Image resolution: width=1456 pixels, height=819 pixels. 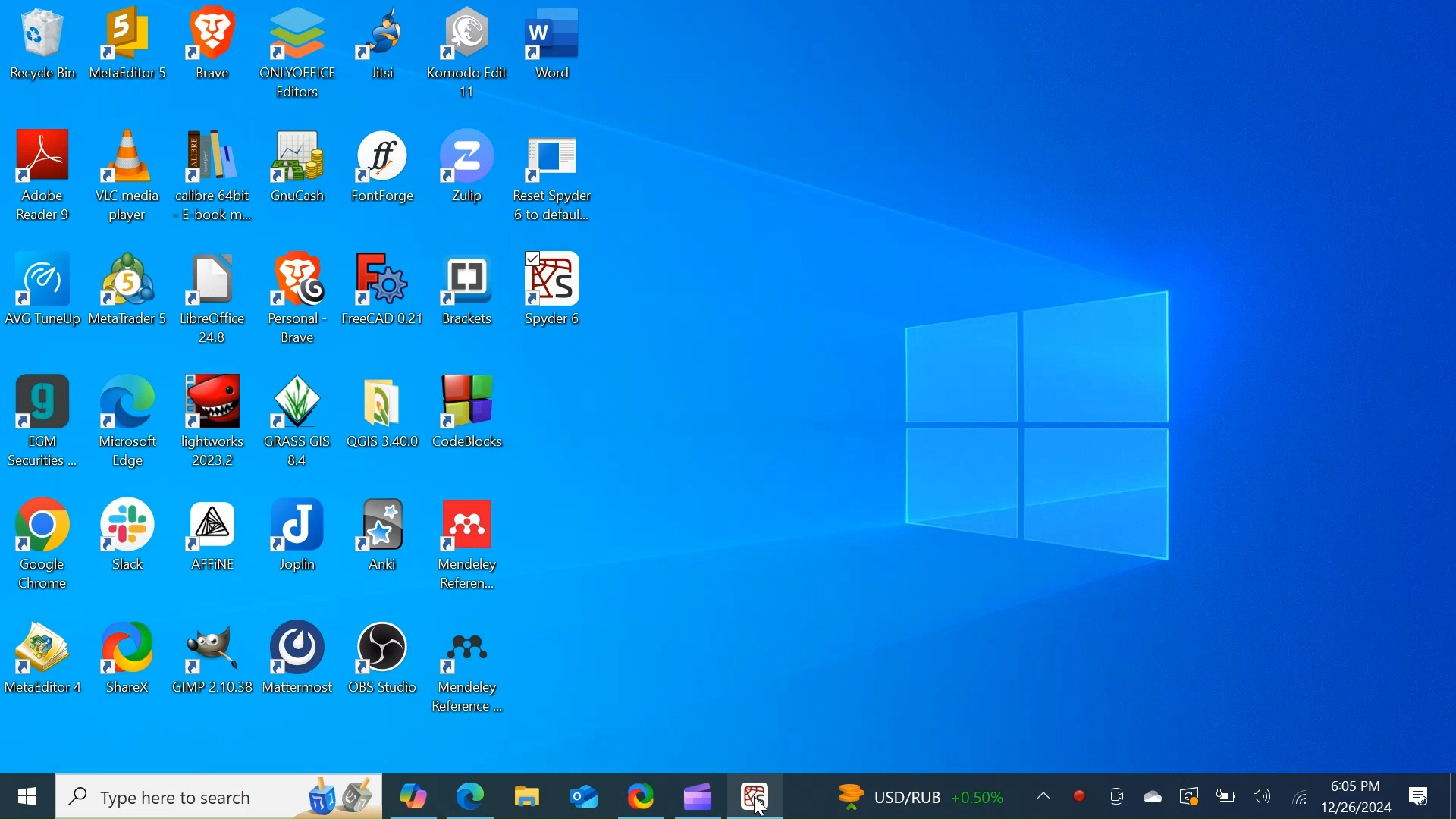 I want to click on Recycle Bin Desktop Icon, so click(x=43, y=53).